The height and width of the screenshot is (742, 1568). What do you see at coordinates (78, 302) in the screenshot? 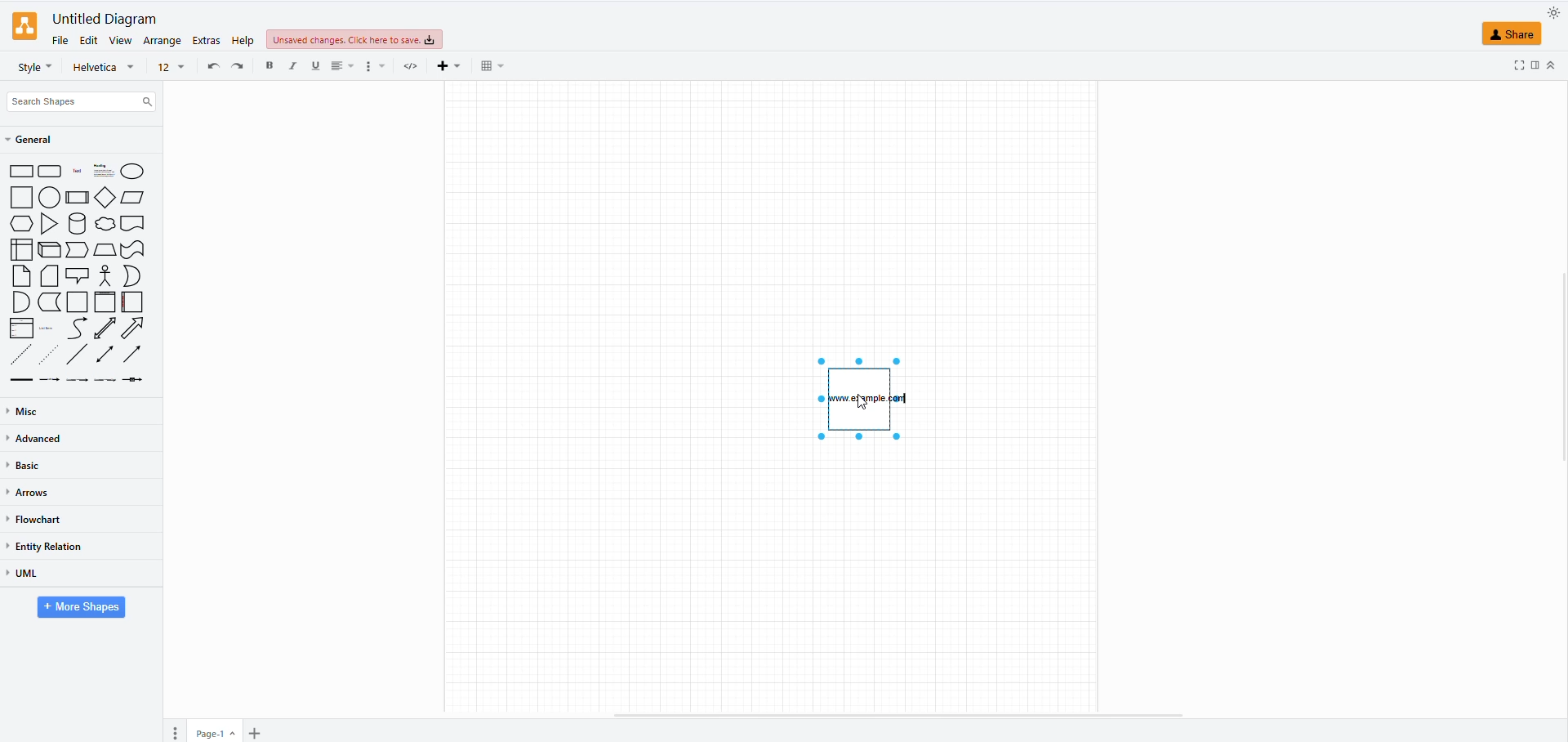
I see `container` at bounding box center [78, 302].